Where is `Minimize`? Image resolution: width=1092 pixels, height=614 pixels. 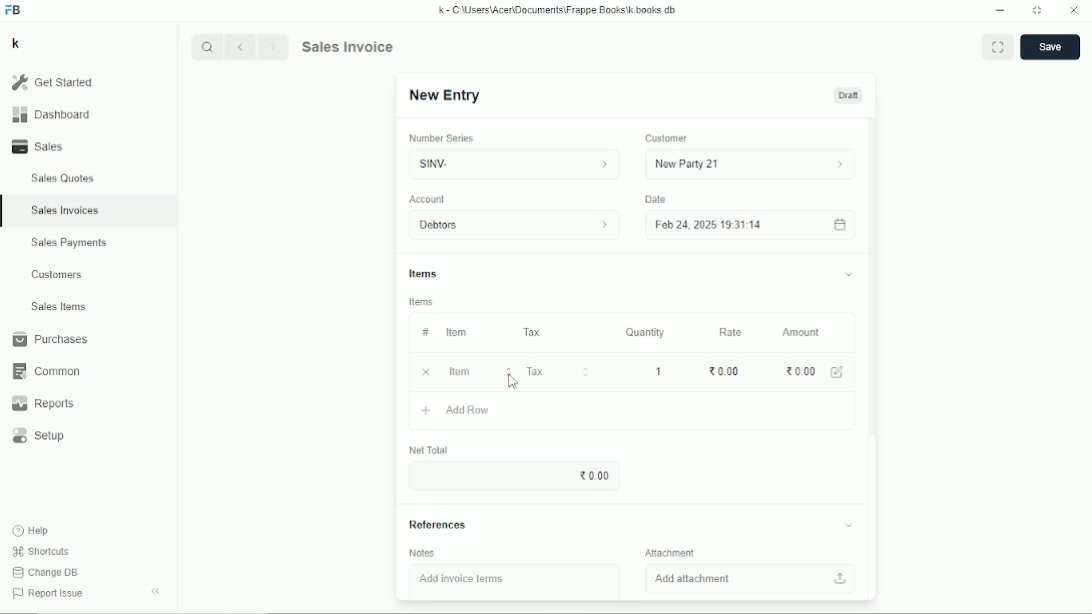
Minimize is located at coordinates (1000, 11).